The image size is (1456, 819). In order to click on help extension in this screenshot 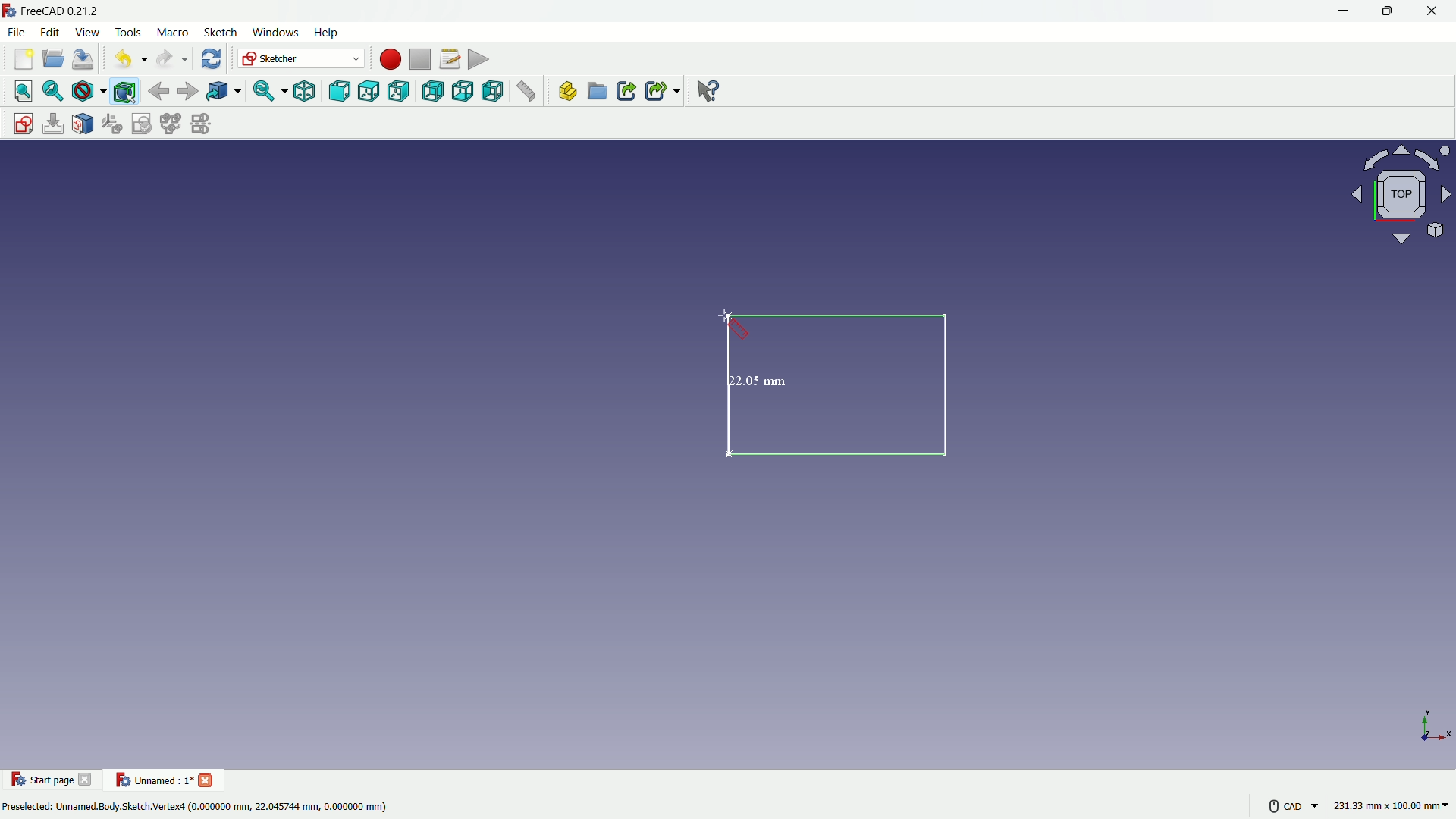, I will do `click(709, 92)`.